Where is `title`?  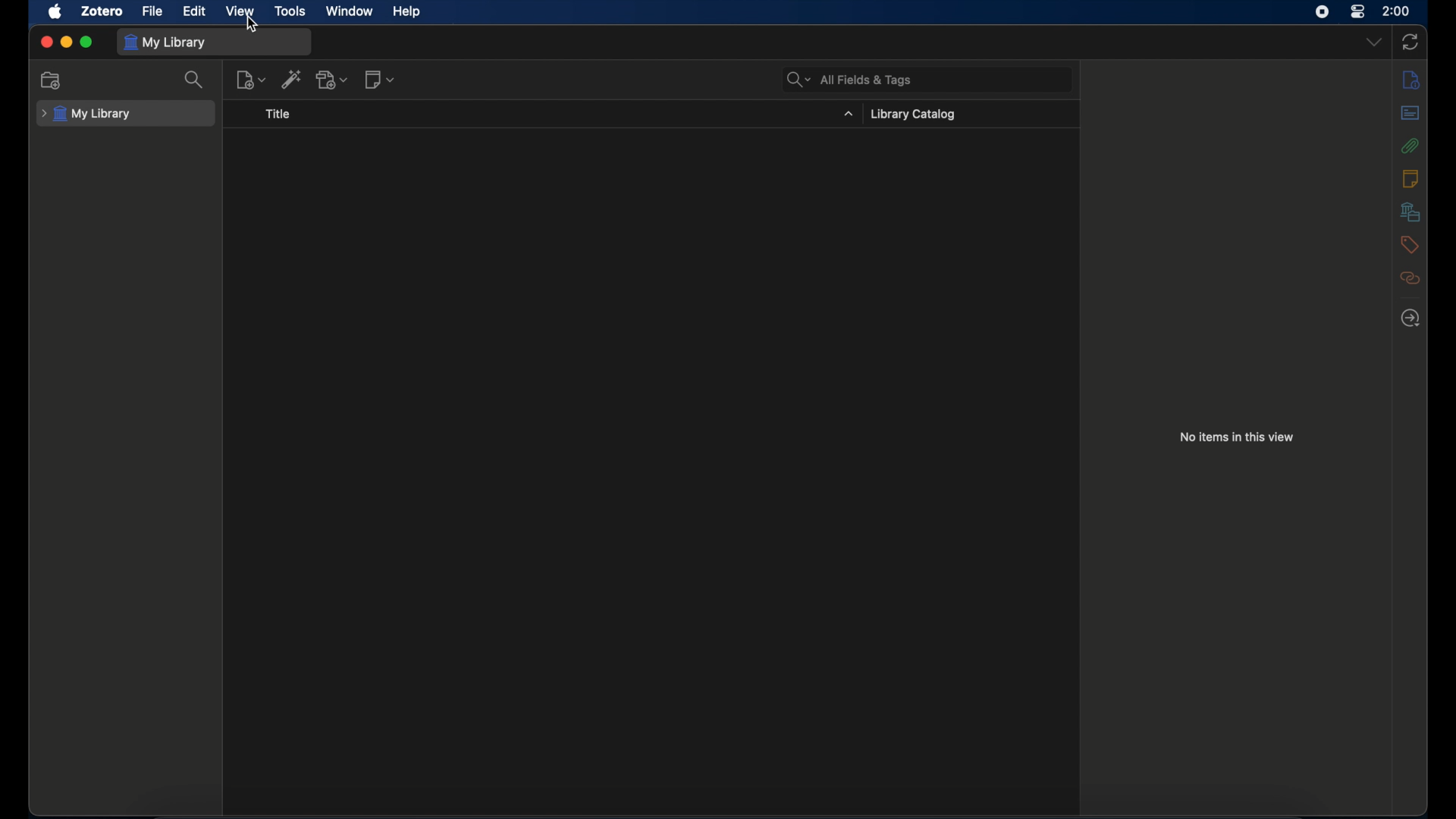
title is located at coordinates (278, 115).